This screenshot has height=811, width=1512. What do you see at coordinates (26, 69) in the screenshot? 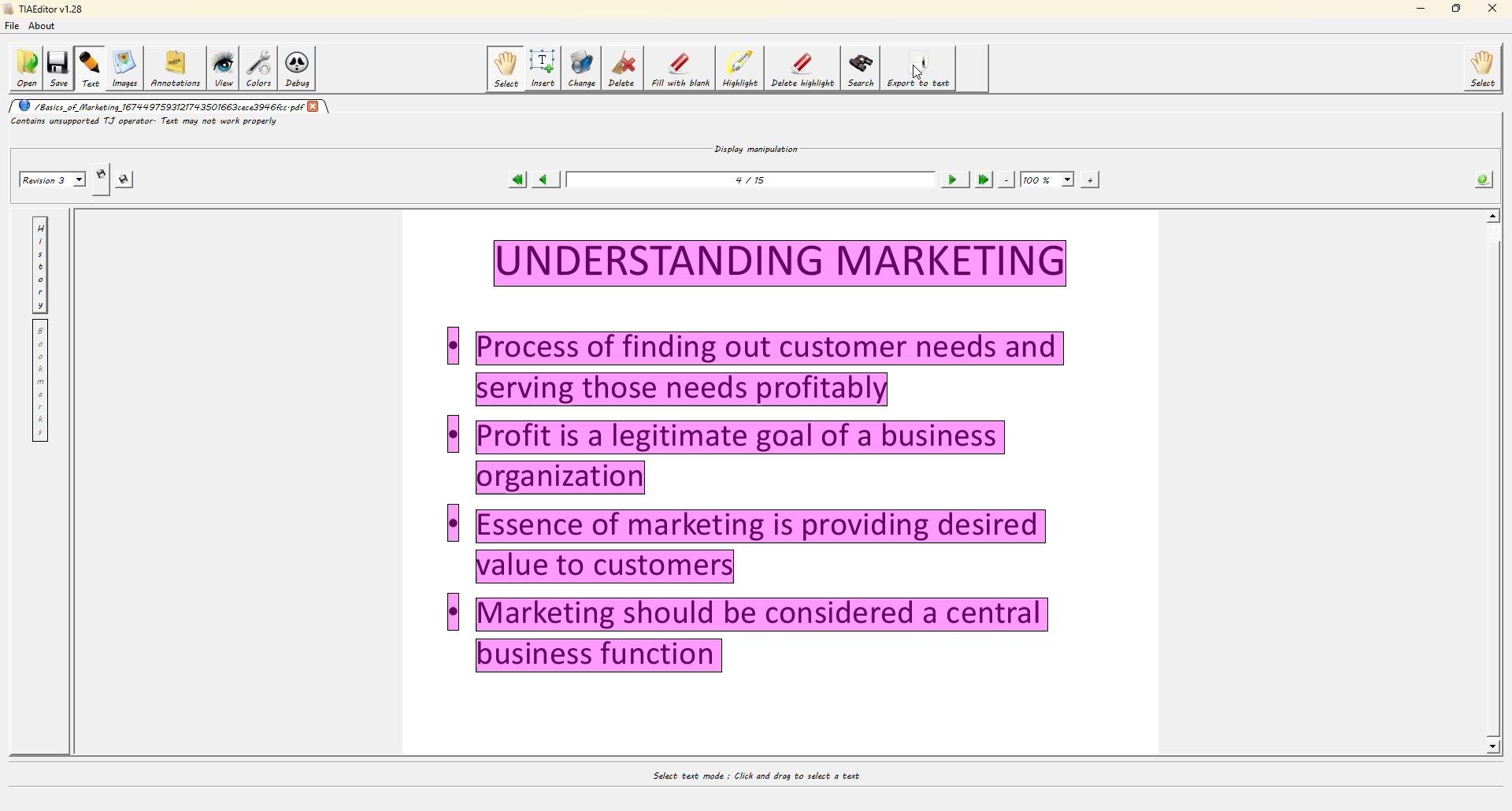
I see `open` at bounding box center [26, 69].